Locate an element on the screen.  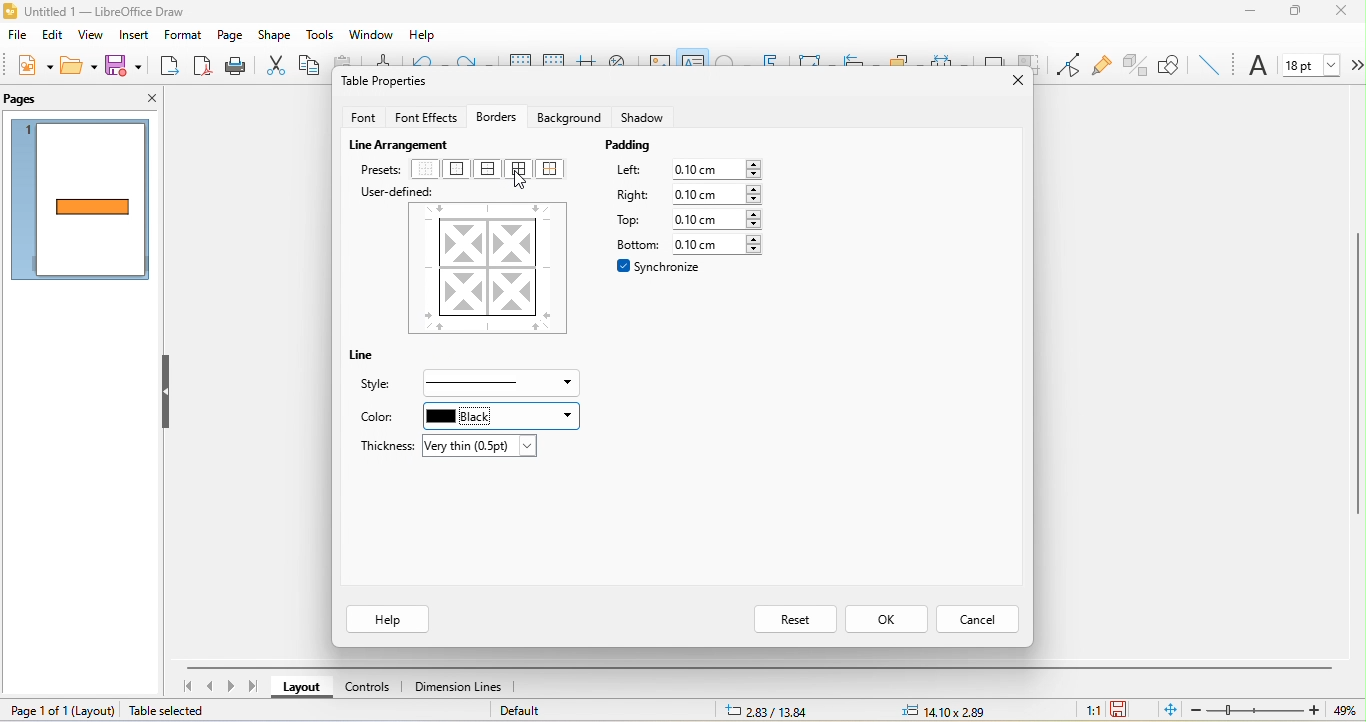
zoom is located at coordinates (1254, 711).